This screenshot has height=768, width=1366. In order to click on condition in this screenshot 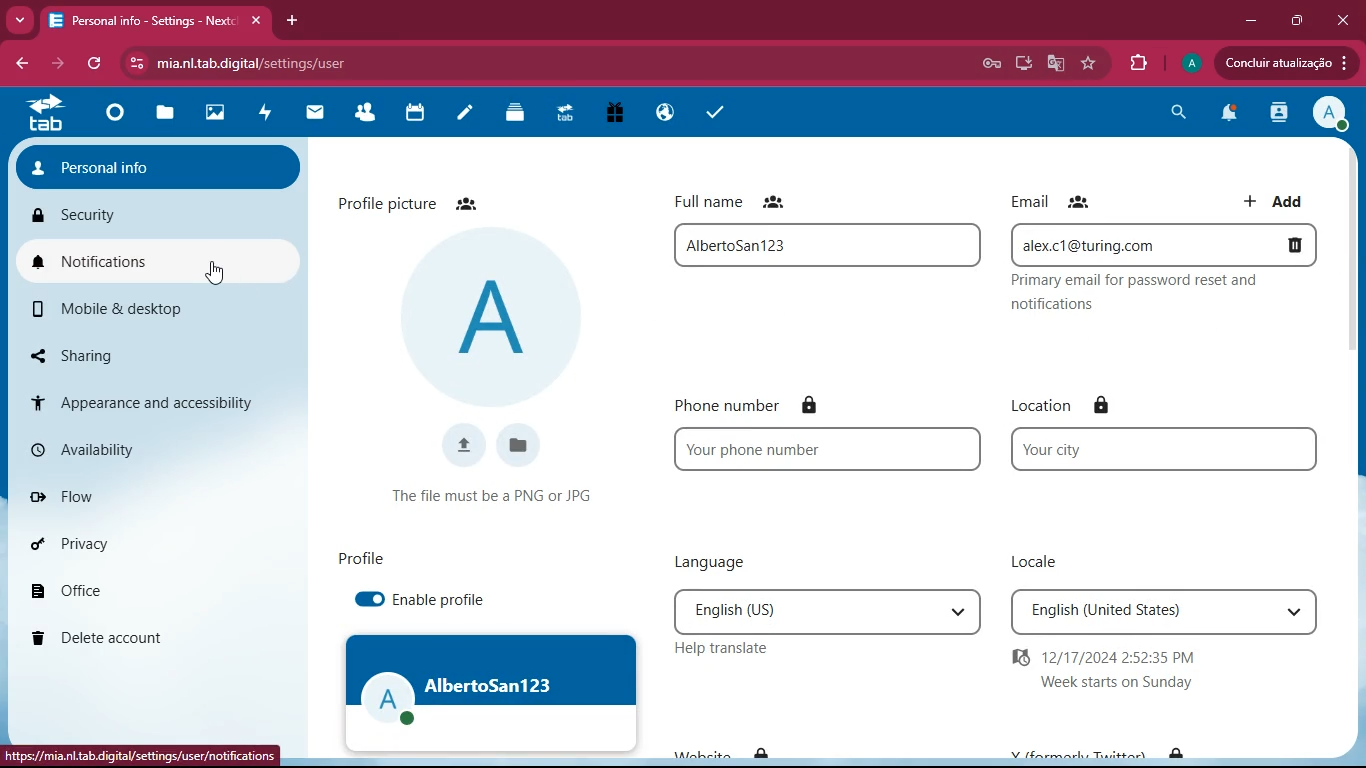, I will do `click(499, 496)`.